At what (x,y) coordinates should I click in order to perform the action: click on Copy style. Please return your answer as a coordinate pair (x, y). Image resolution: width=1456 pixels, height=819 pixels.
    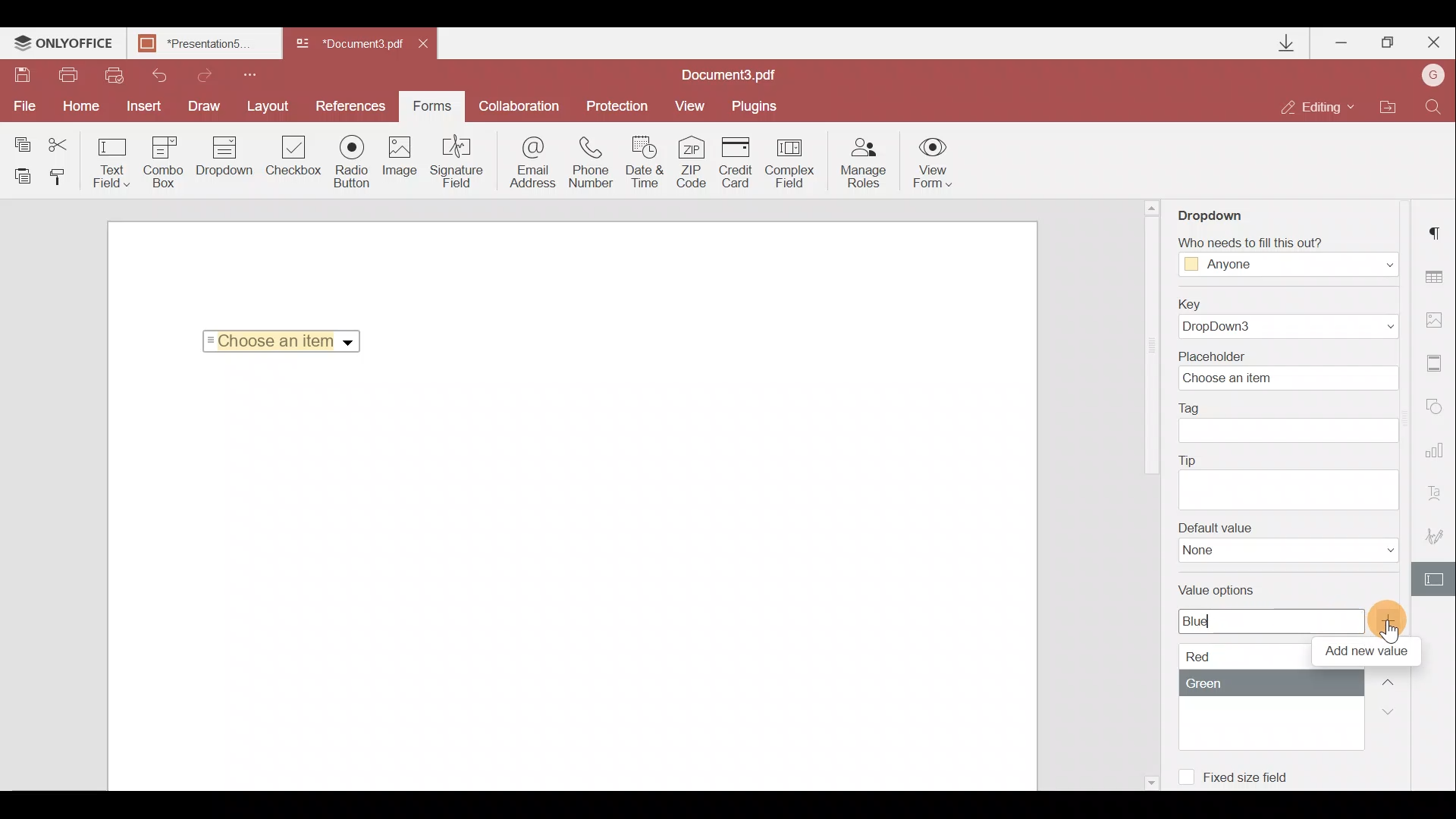
    Looking at the image, I should click on (63, 180).